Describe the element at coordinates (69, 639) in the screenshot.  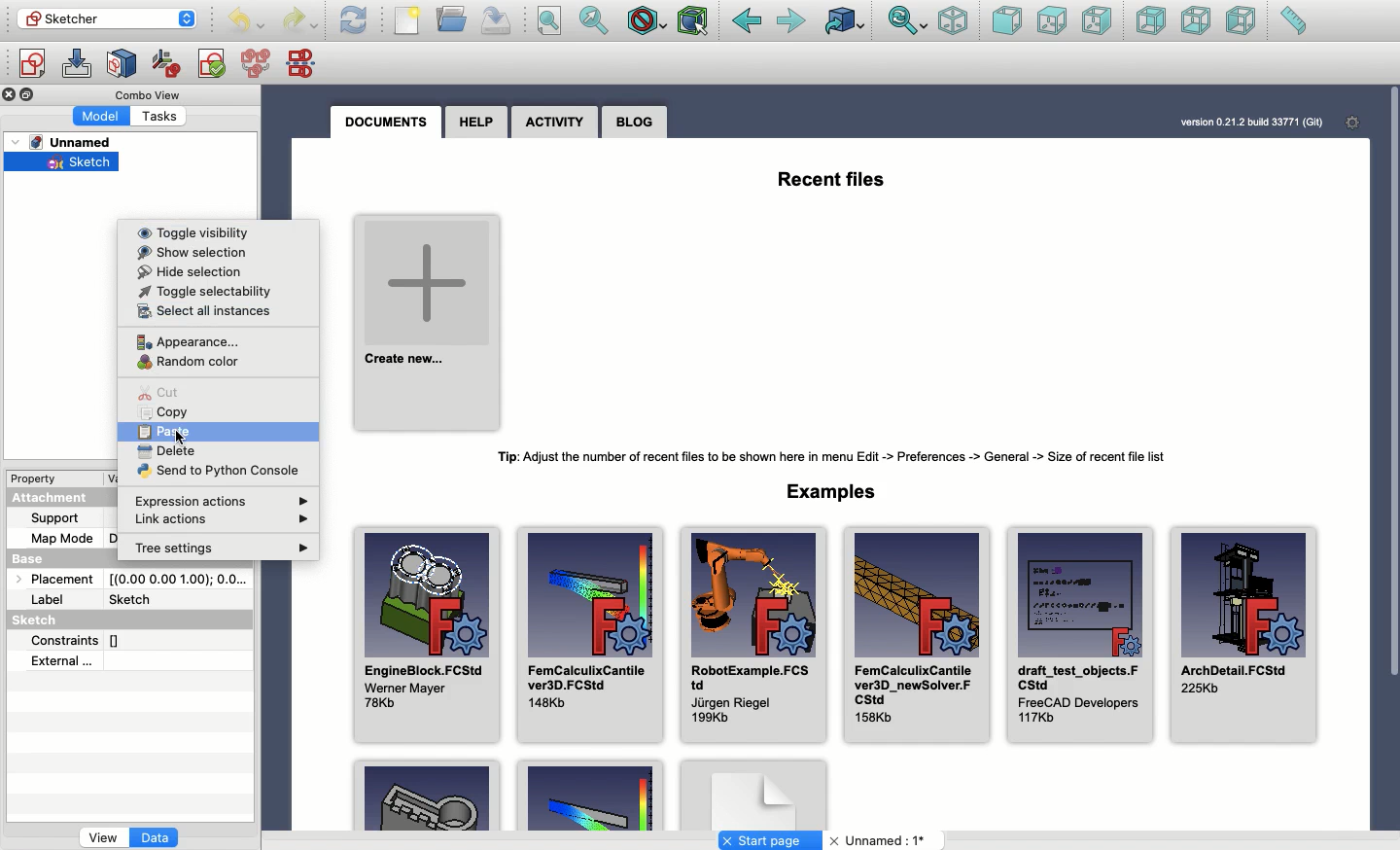
I see `Constraints` at that location.